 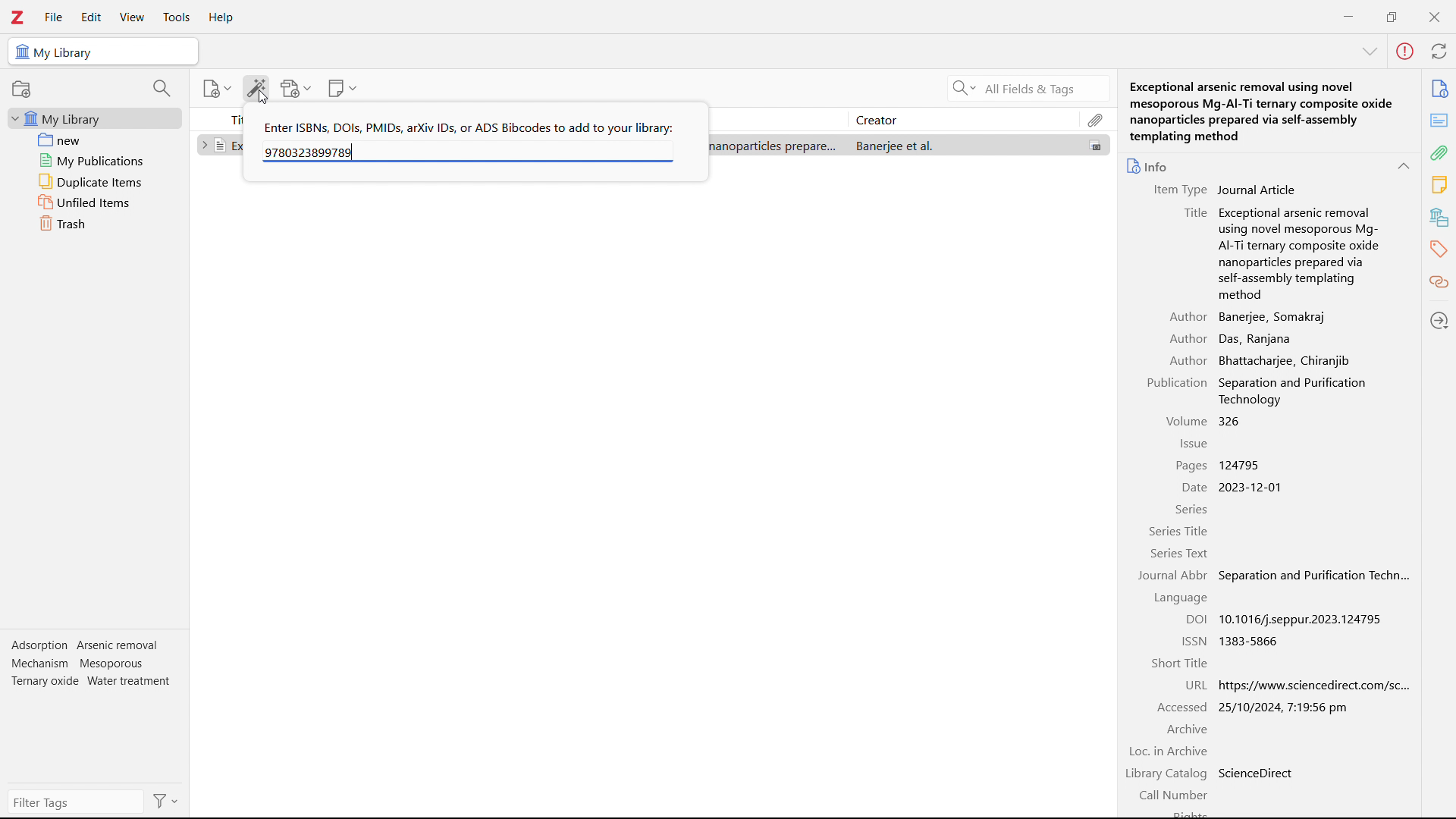 I want to click on maximize, so click(x=1392, y=15).